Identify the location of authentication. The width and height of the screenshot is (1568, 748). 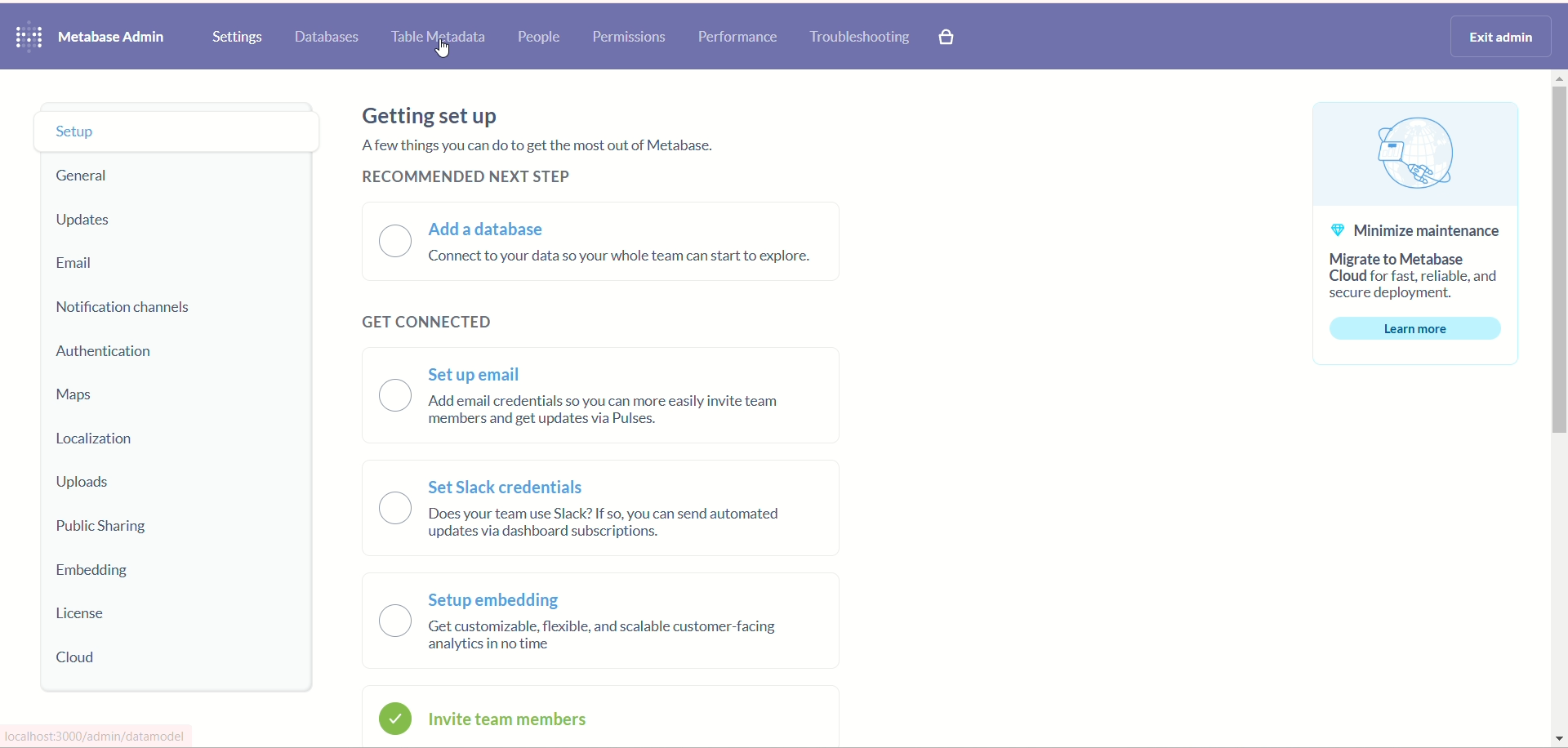
(109, 354).